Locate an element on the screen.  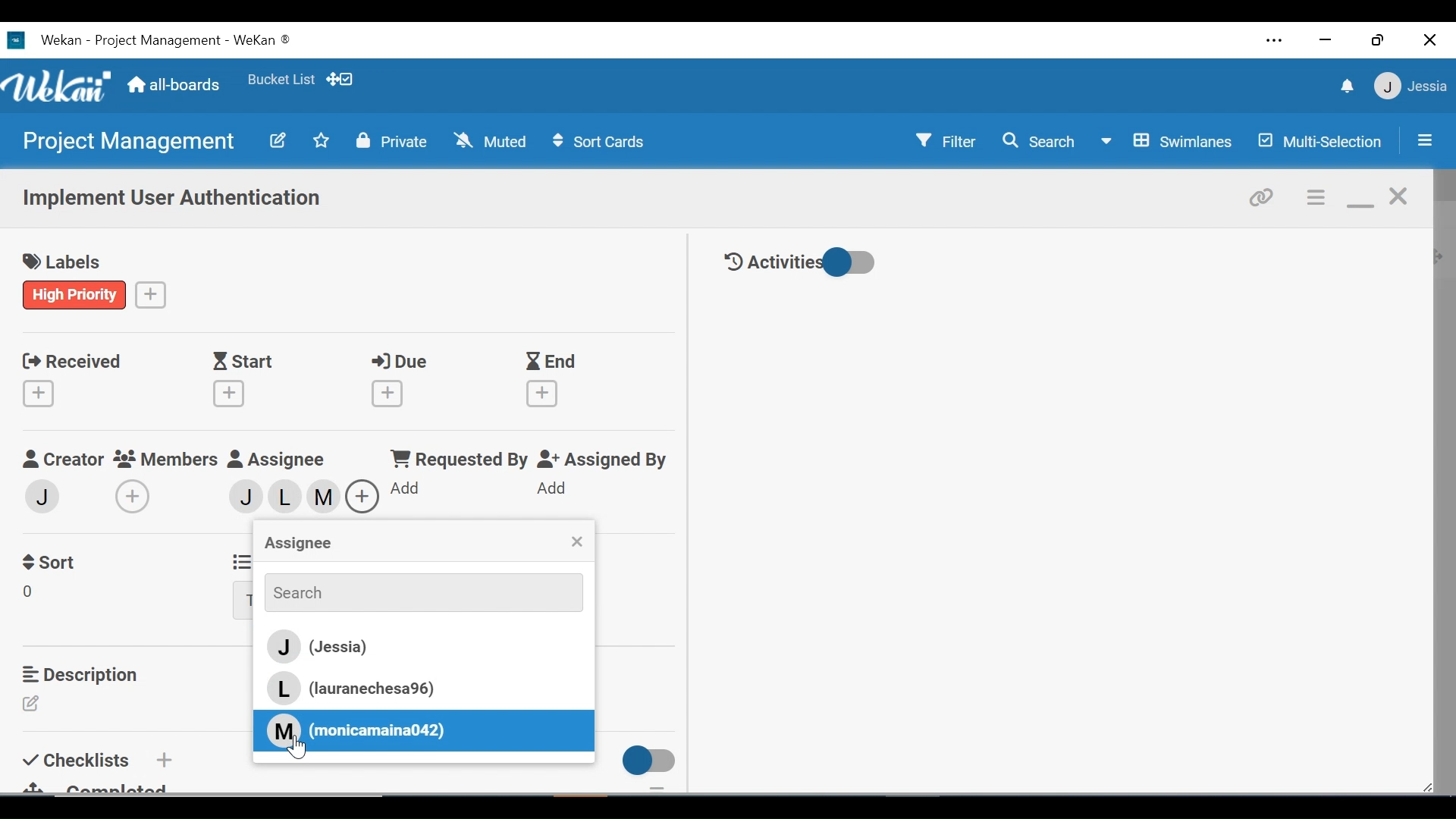
Muted is located at coordinates (494, 140).